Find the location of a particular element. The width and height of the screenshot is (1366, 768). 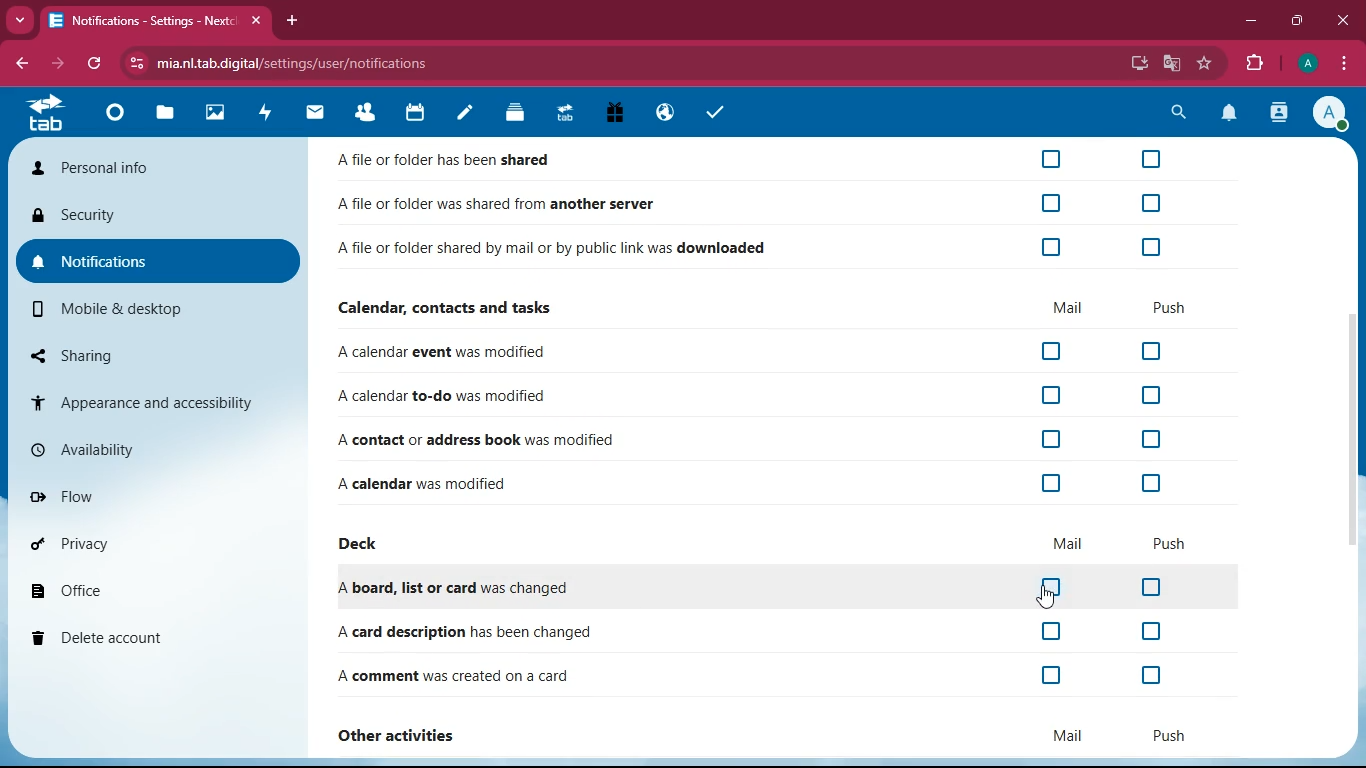

off is located at coordinates (1149, 627).